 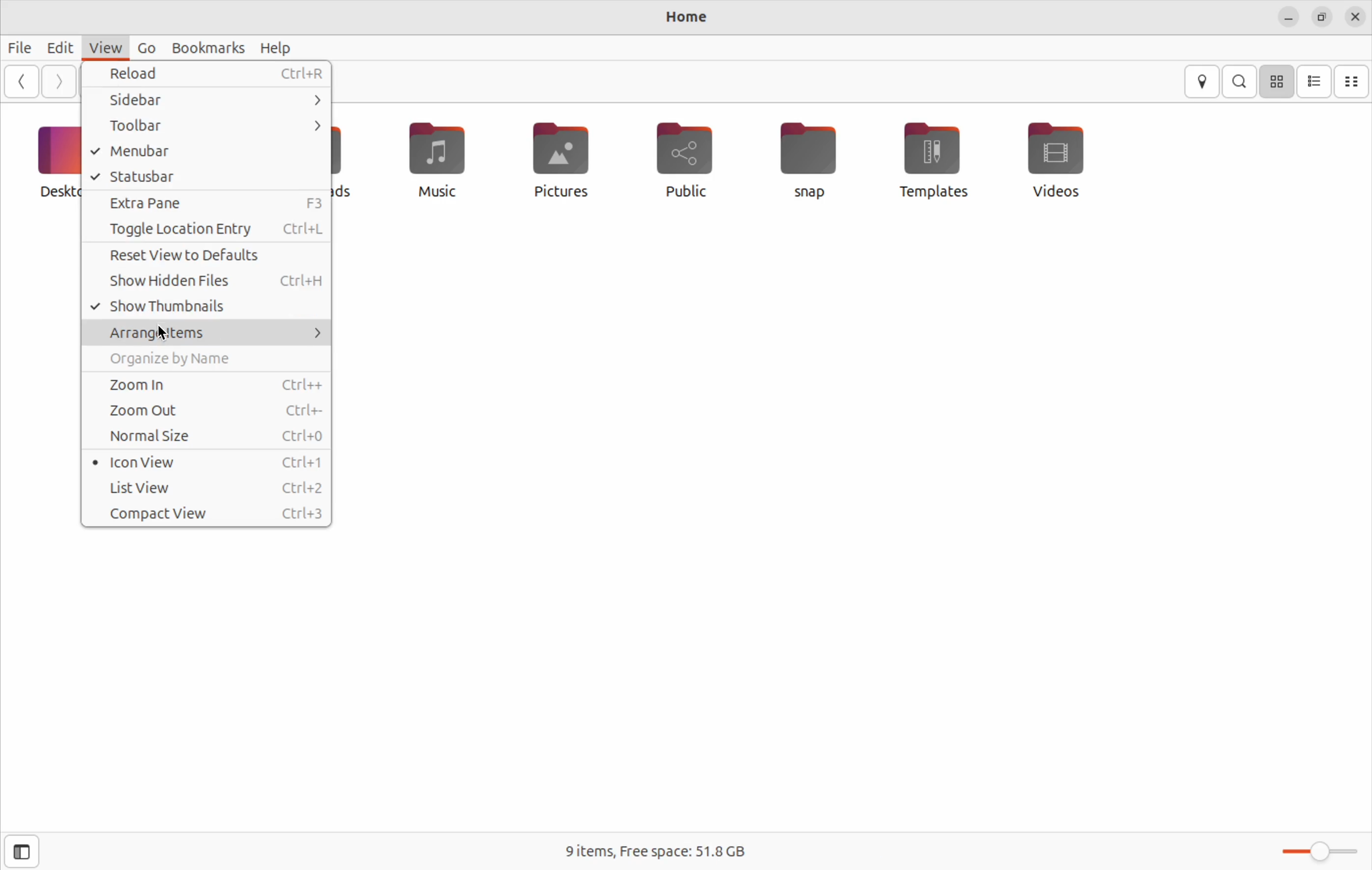 What do you see at coordinates (1355, 16) in the screenshot?
I see `date and time` at bounding box center [1355, 16].